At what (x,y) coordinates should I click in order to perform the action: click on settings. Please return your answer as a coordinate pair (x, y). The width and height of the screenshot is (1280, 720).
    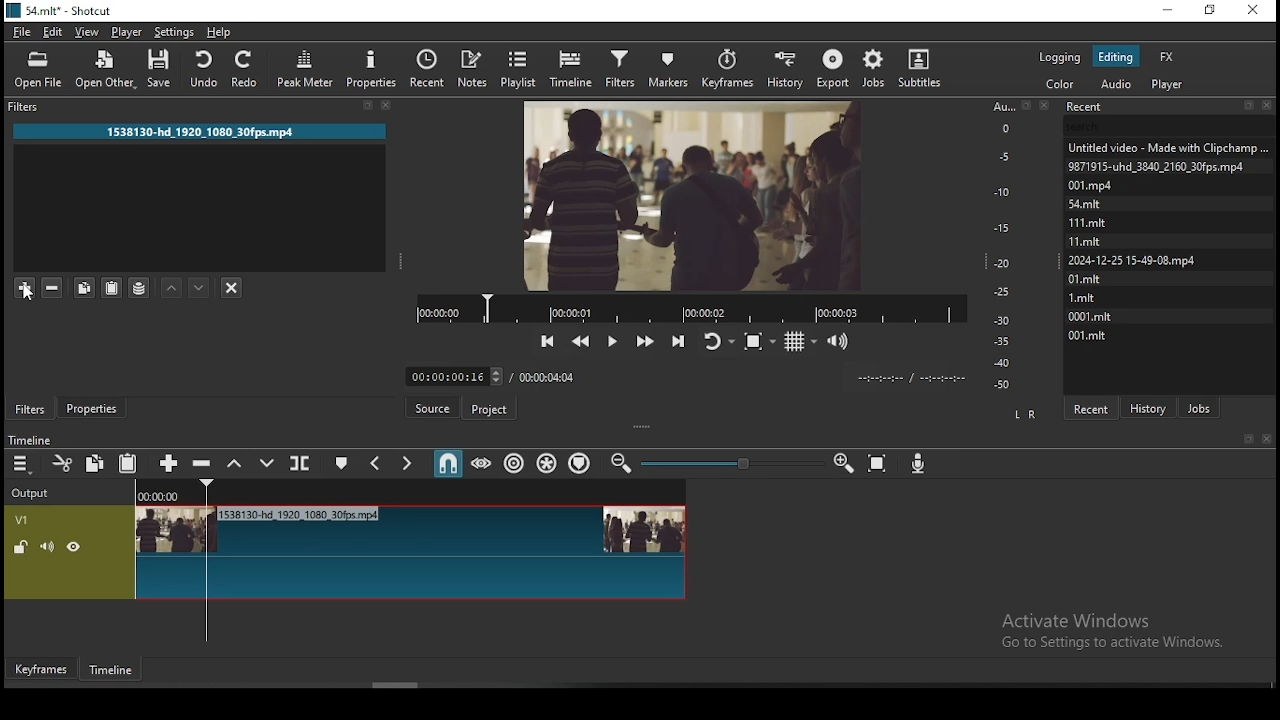
    Looking at the image, I should click on (172, 31).